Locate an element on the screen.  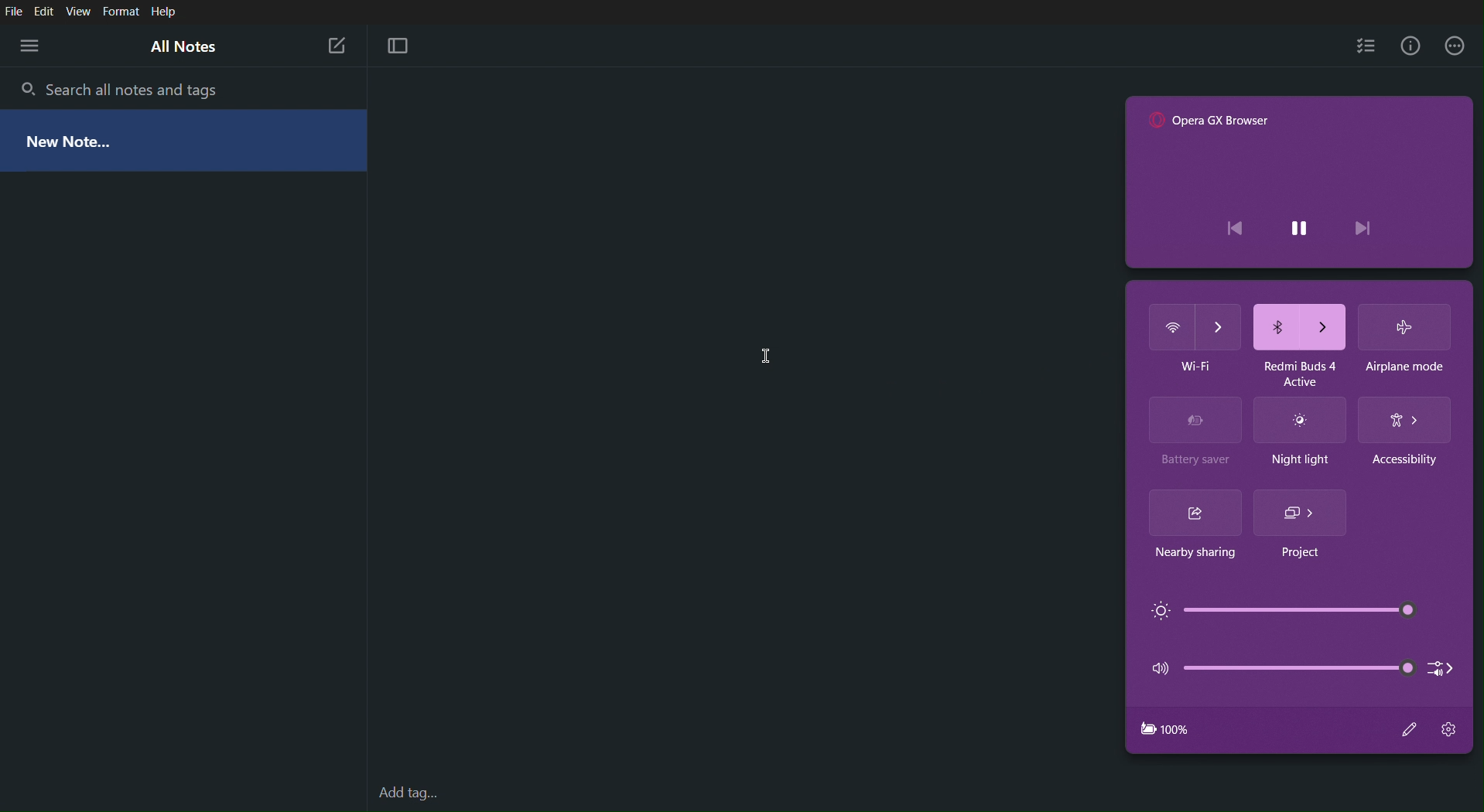
Nearby sharing is located at coordinates (1197, 515).